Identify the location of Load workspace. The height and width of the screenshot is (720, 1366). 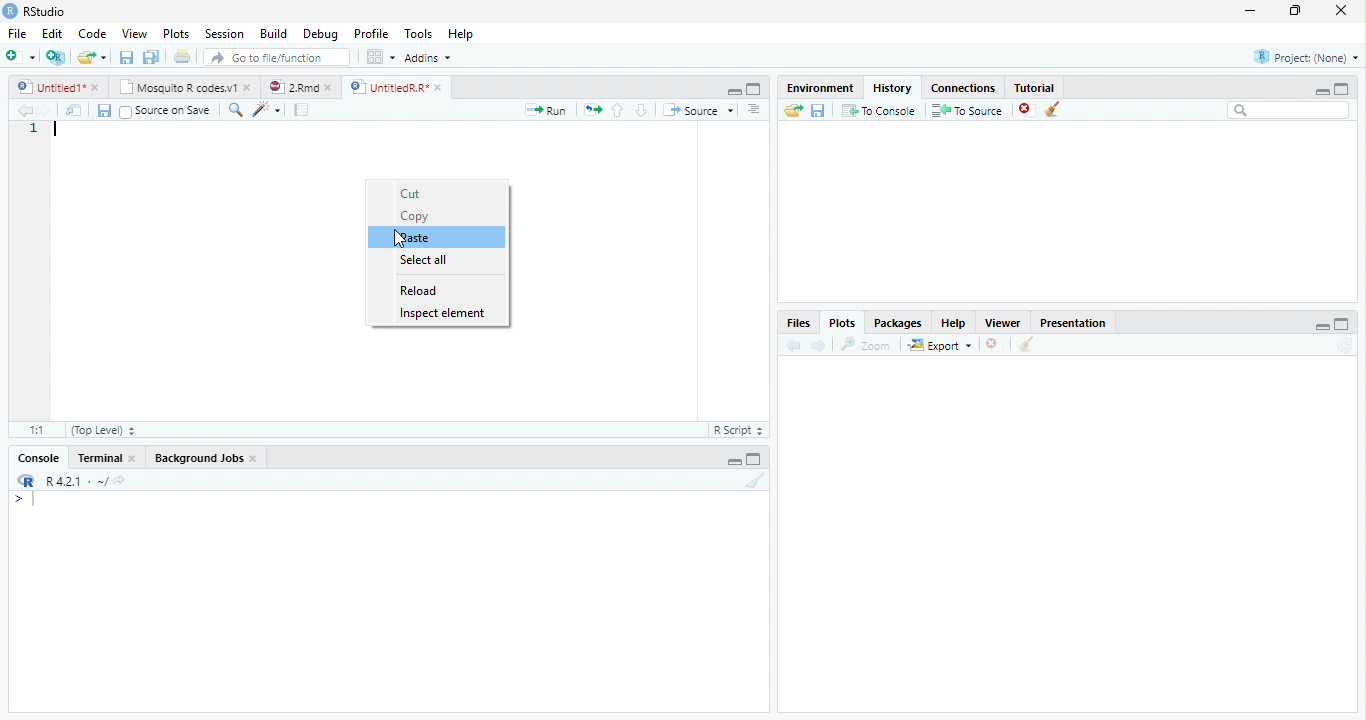
(791, 111).